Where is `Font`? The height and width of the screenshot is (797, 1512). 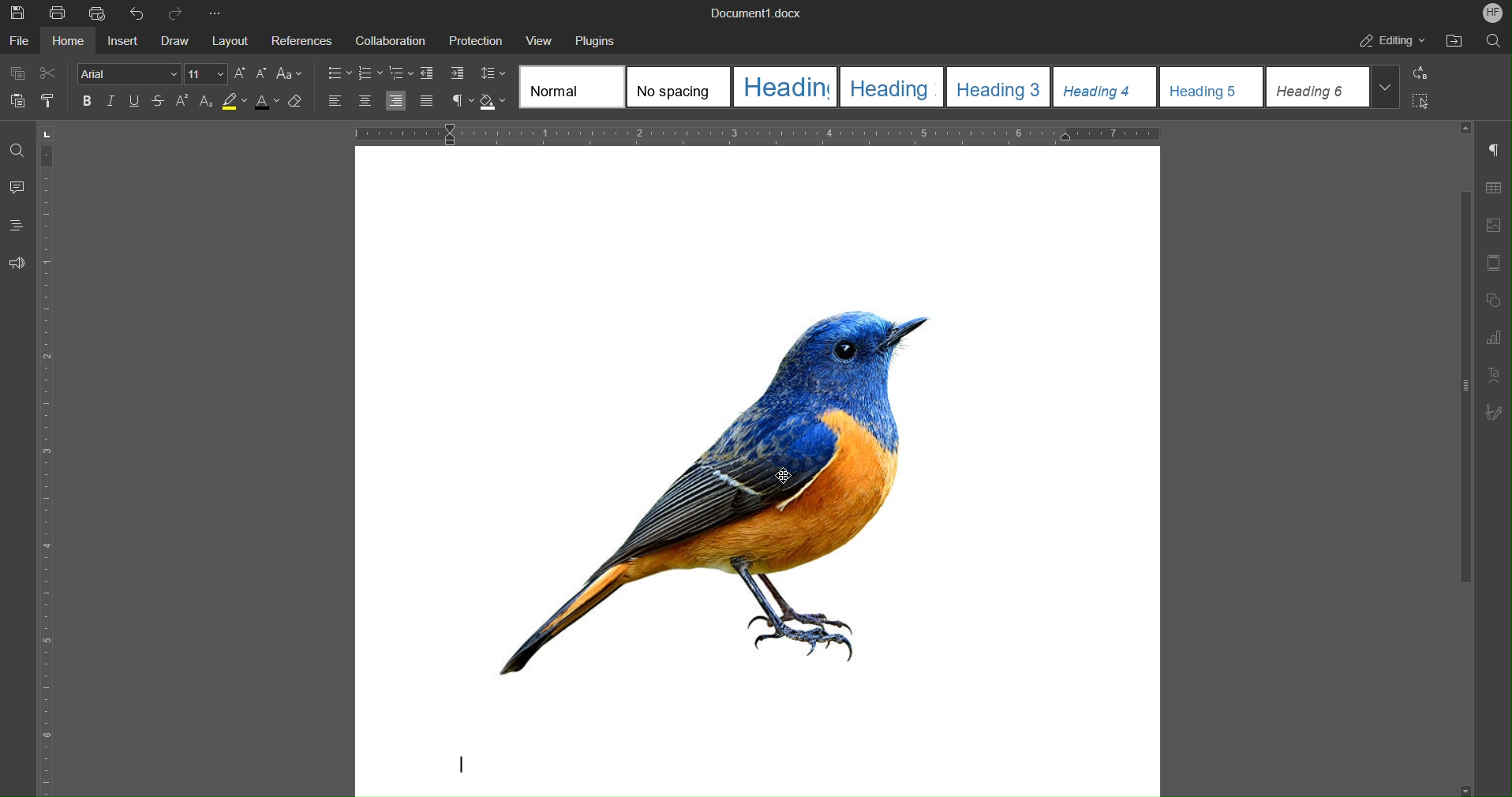
Font is located at coordinates (129, 73).